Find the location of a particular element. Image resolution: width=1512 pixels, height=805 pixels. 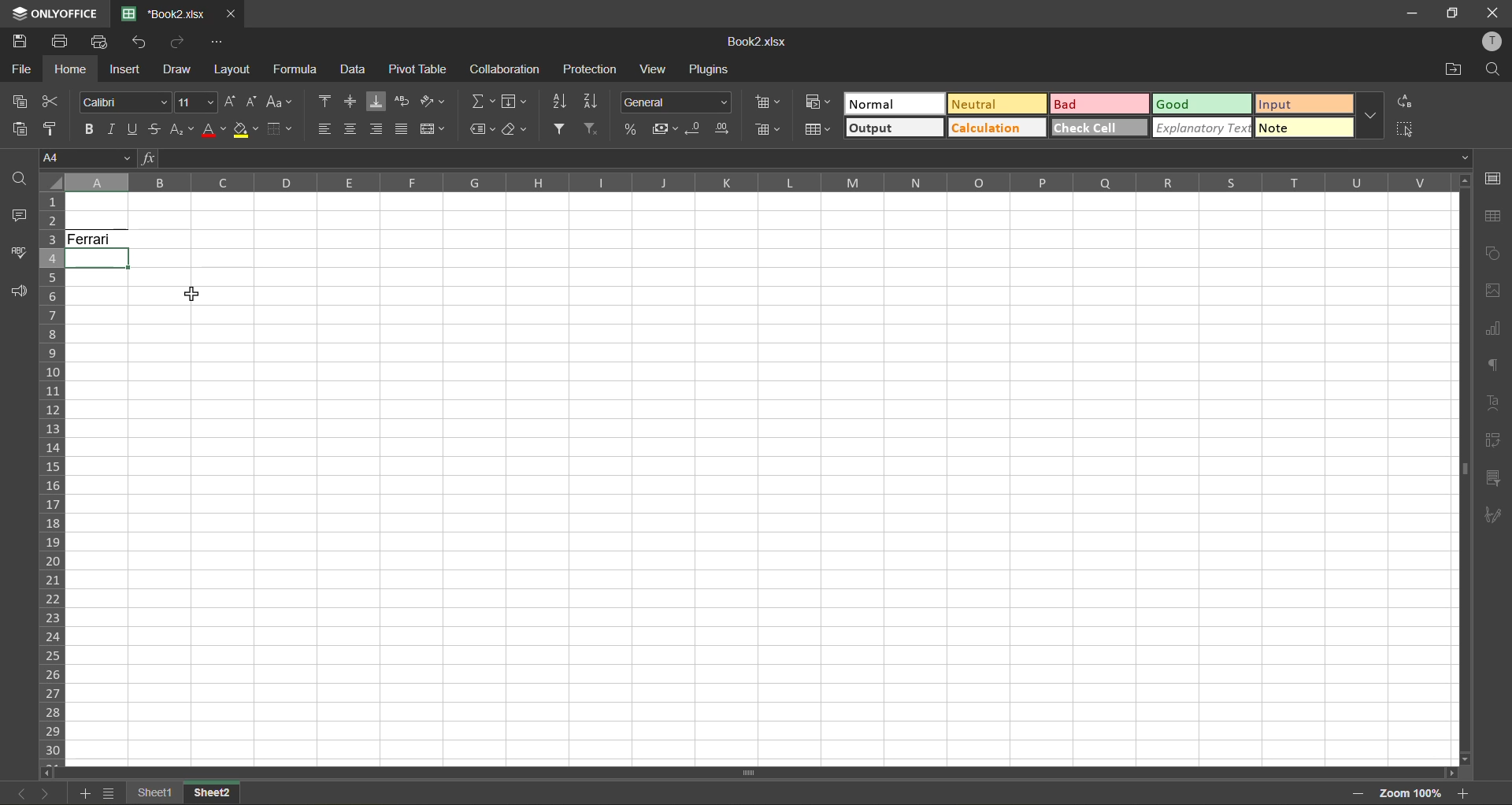

close is located at coordinates (1493, 12).